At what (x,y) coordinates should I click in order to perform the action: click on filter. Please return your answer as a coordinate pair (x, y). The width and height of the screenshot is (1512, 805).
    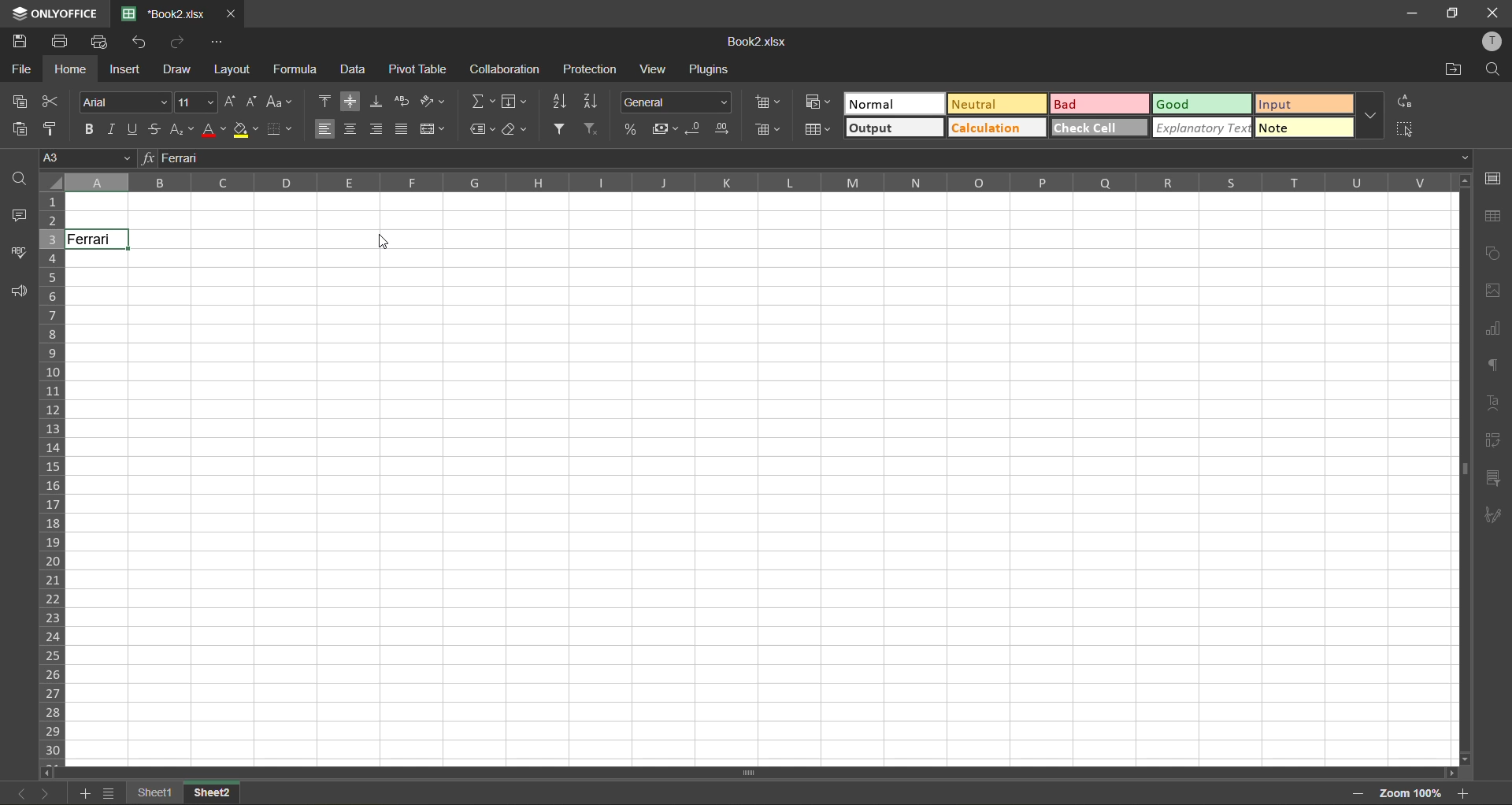
    Looking at the image, I should click on (563, 128).